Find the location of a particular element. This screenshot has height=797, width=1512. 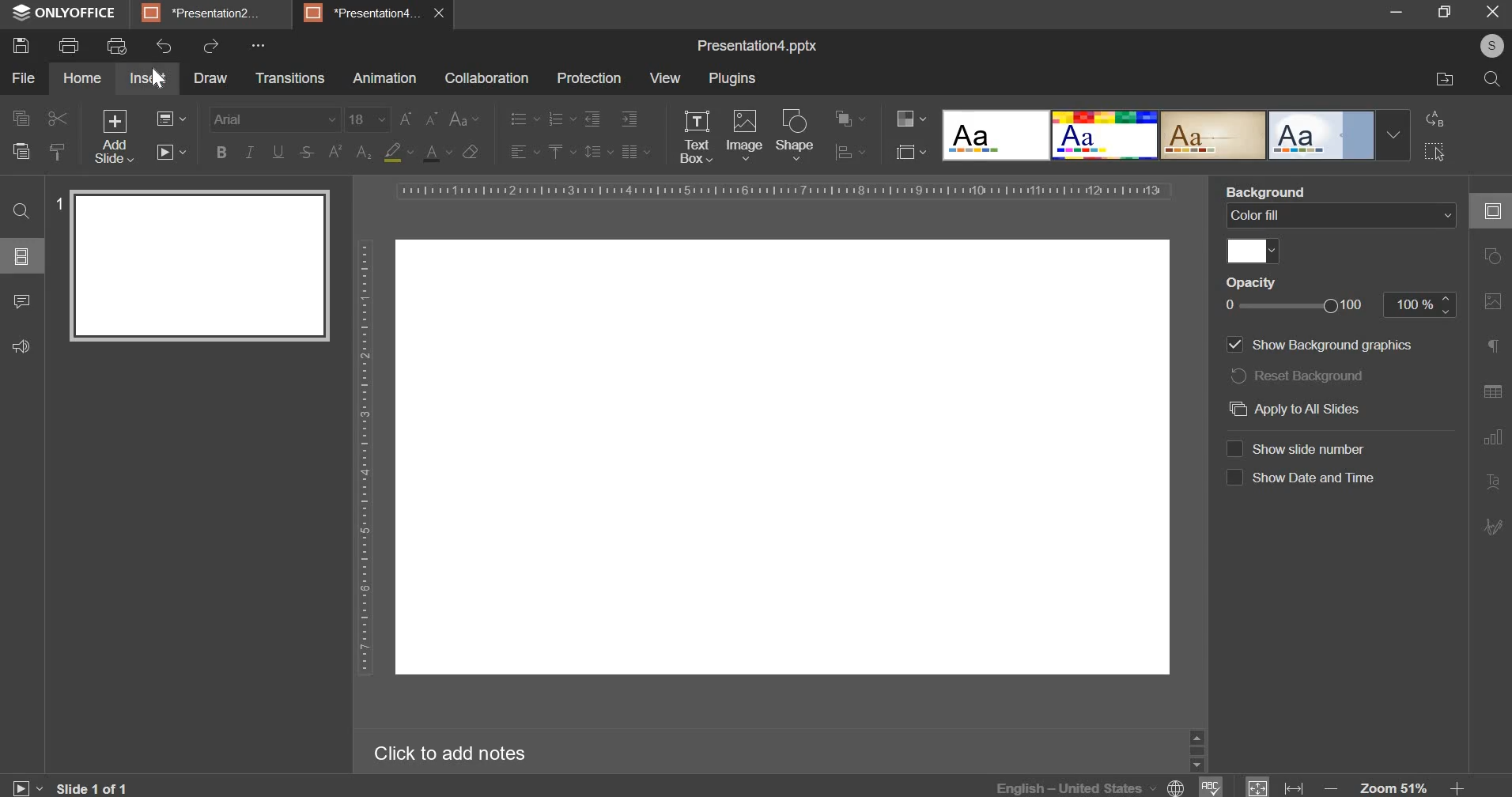

types of slides is located at coordinates (1177, 133).